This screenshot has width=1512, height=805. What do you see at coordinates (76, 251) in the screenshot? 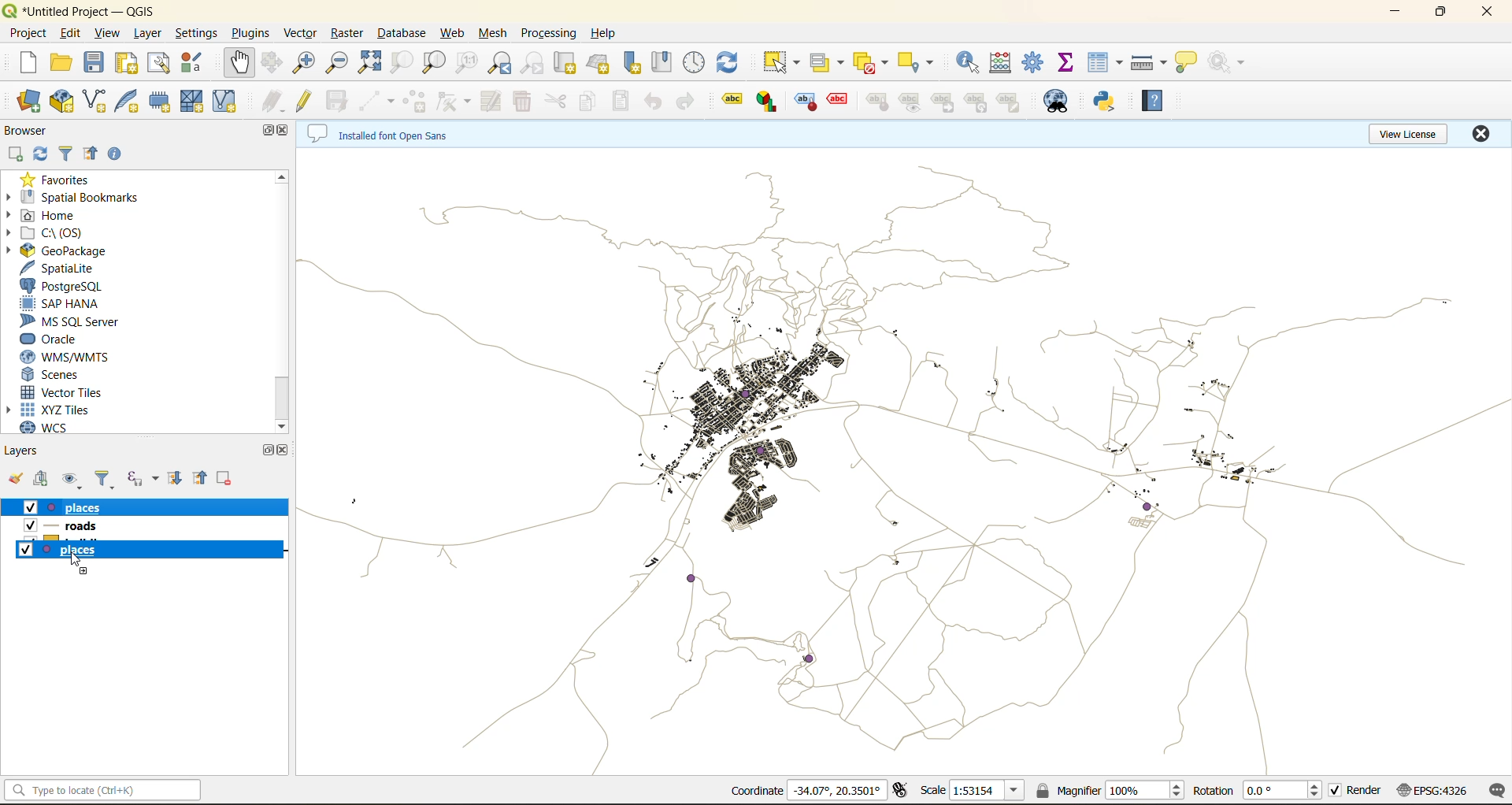
I see `geopackage` at bounding box center [76, 251].